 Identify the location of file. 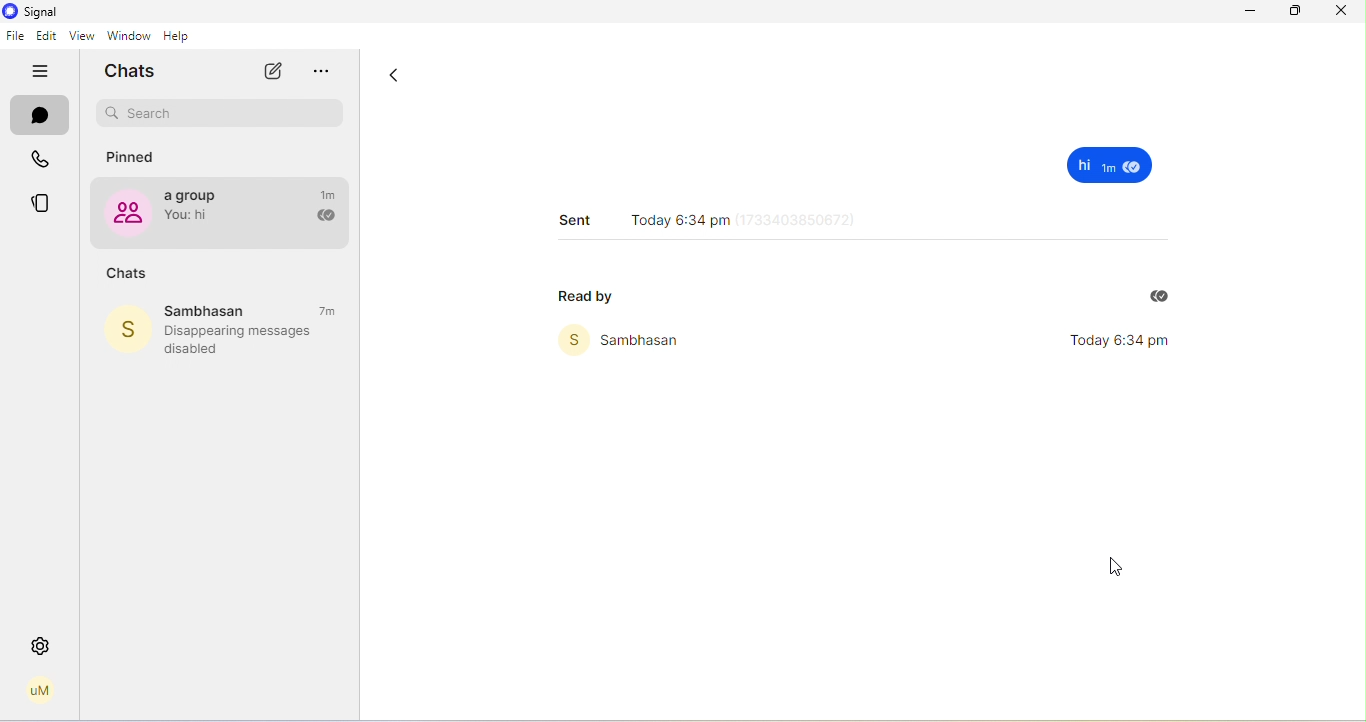
(15, 36).